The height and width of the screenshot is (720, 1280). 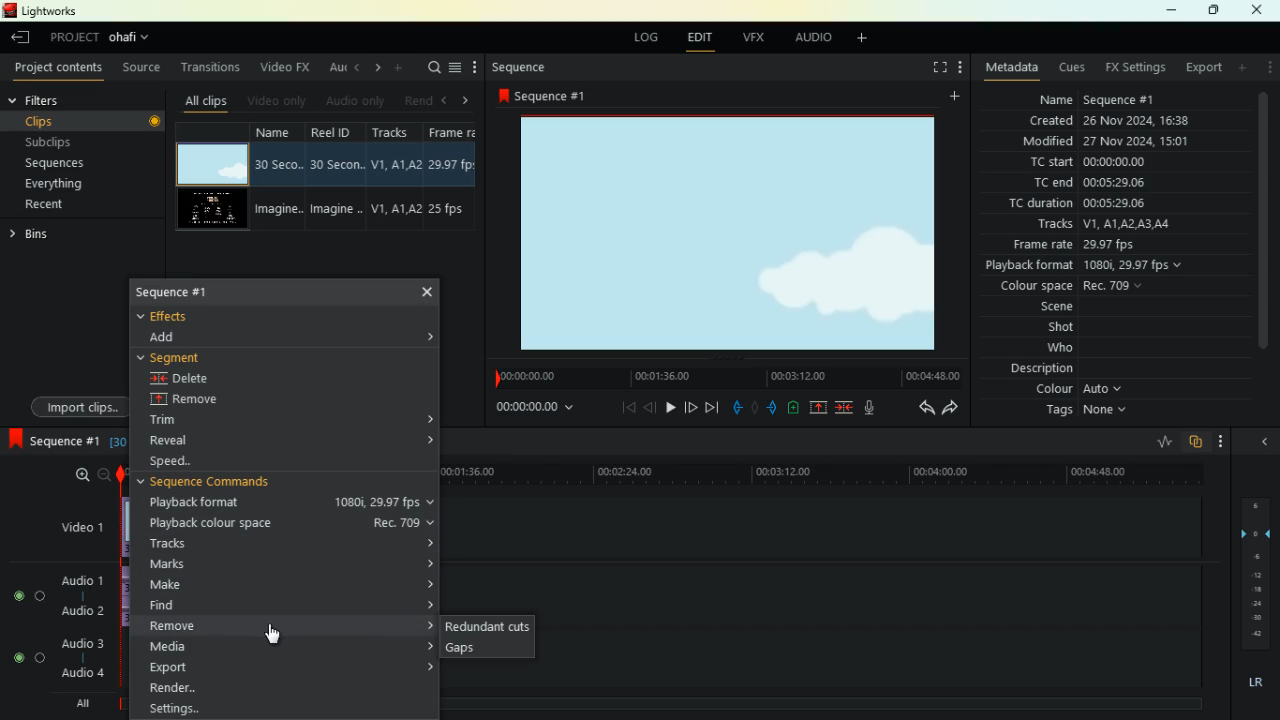 I want to click on forward, so click(x=691, y=406).